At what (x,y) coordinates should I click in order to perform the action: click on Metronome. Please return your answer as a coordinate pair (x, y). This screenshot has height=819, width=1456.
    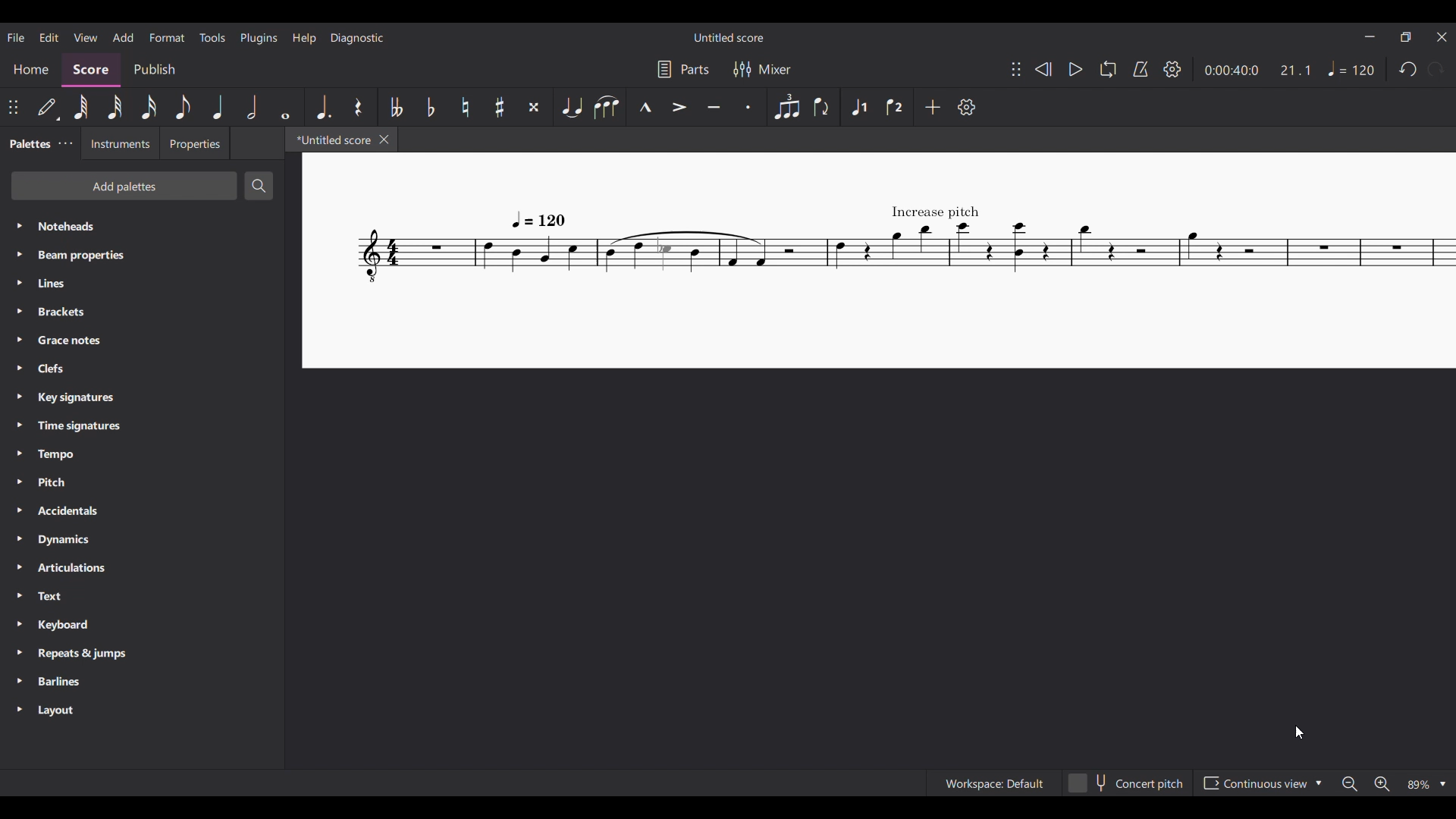
    Looking at the image, I should click on (1141, 69).